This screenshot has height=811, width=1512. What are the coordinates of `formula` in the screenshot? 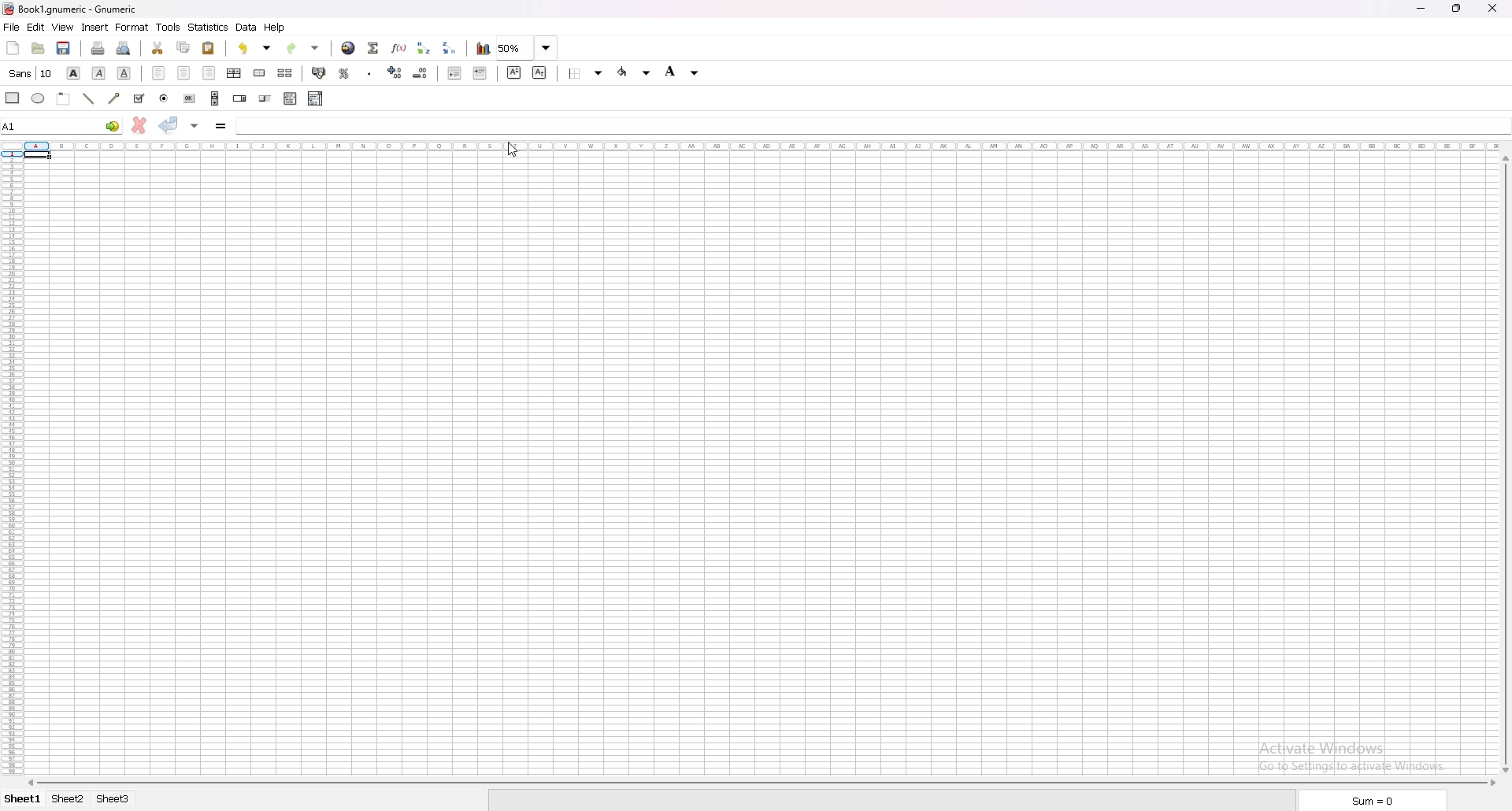 It's located at (220, 125).